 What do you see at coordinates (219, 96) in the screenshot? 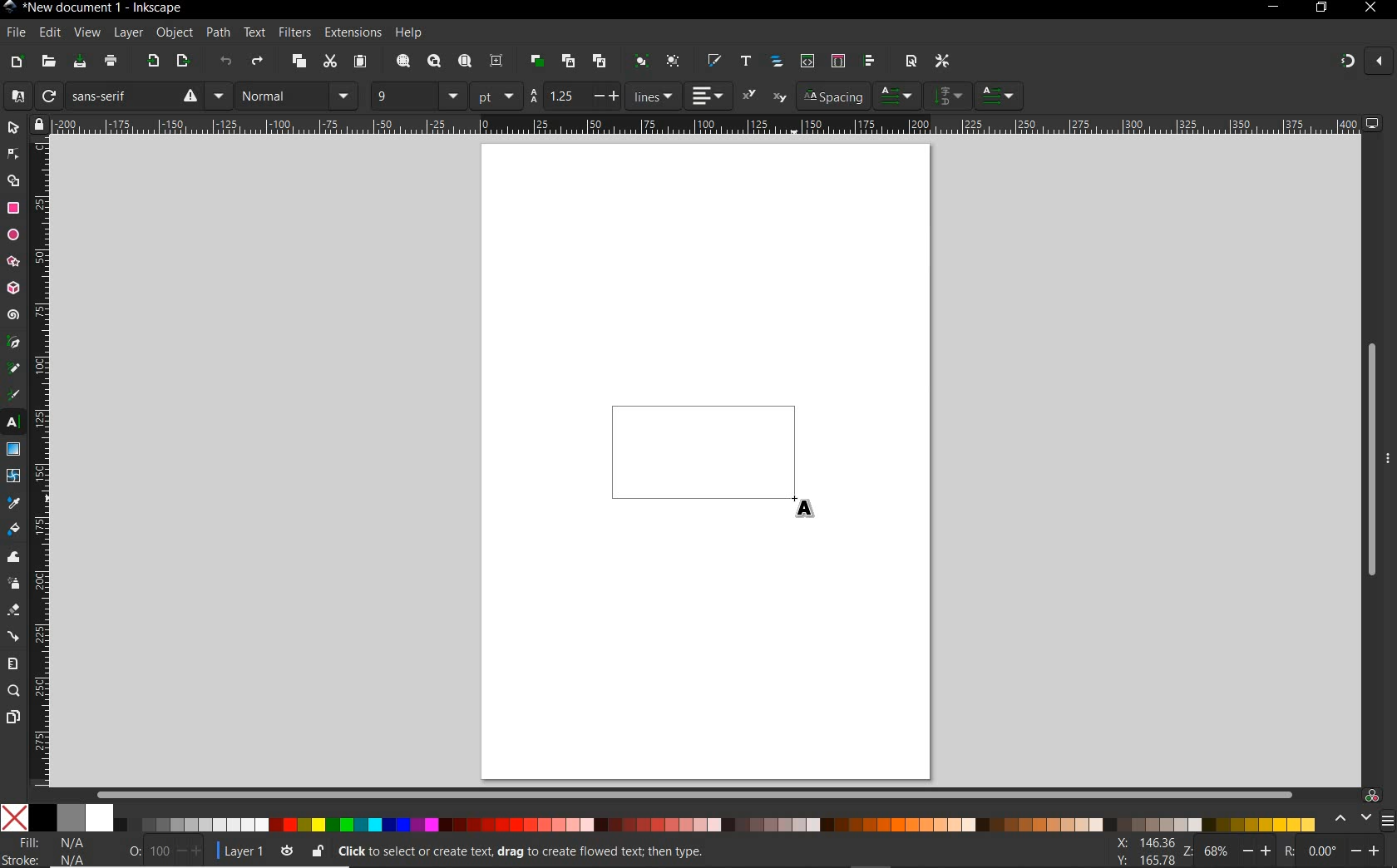
I see `Menu` at bounding box center [219, 96].